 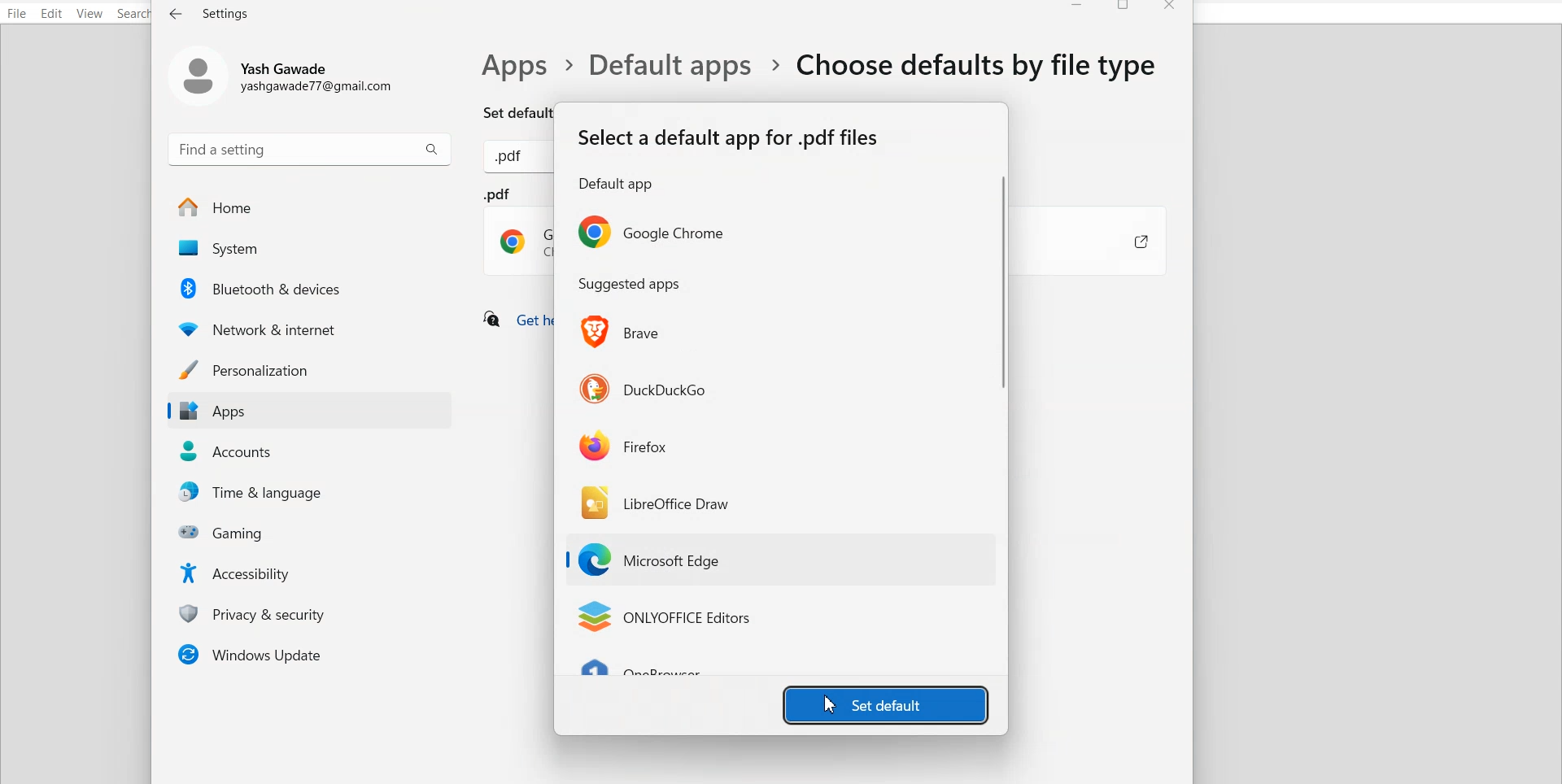 I want to click on Text, so click(x=630, y=285).